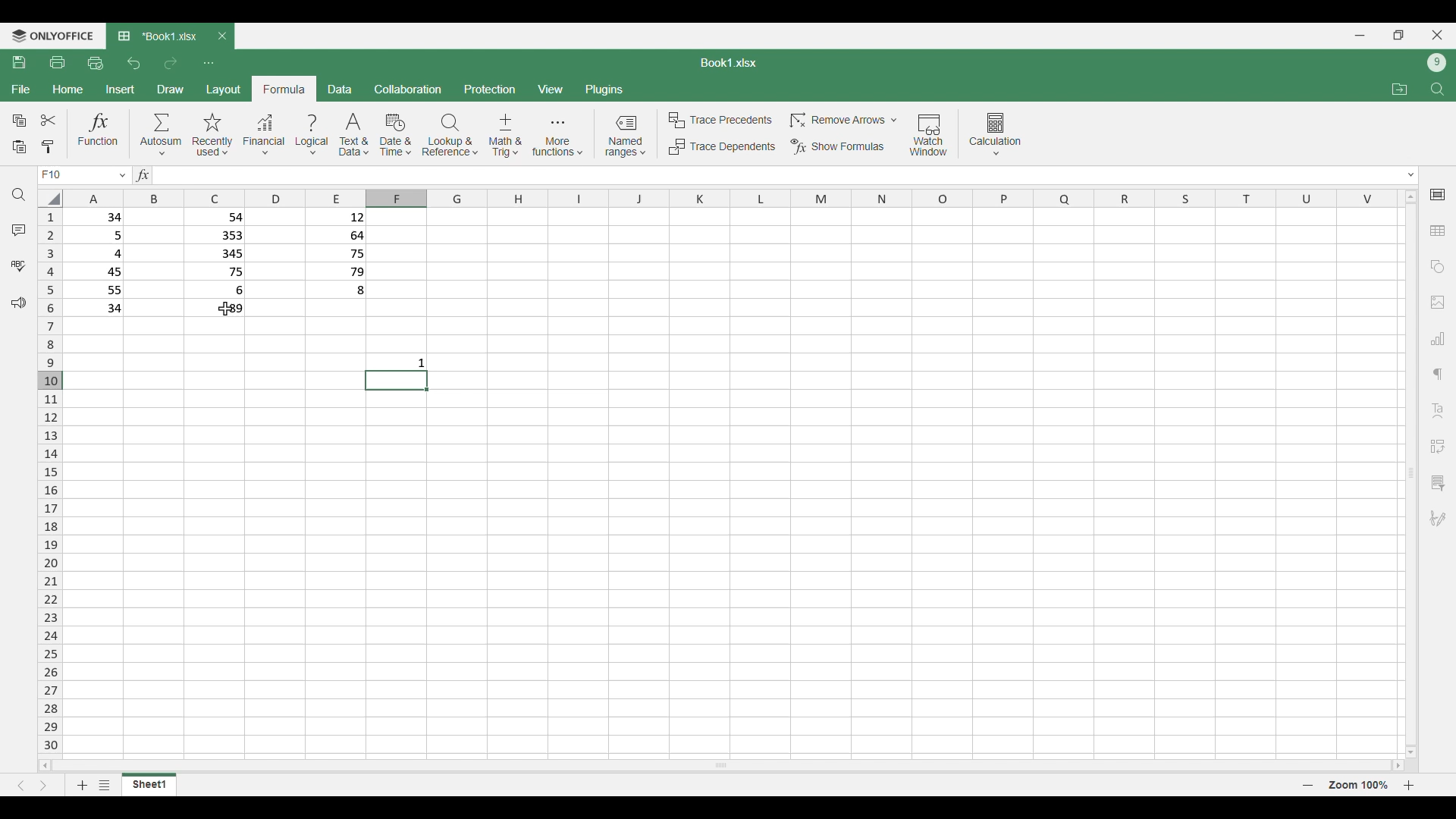 This screenshot has height=819, width=1456. What do you see at coordinates (209, 64) in the screenshot?
I see `Customize quick access toolbar` at bounding box center [209, 64].